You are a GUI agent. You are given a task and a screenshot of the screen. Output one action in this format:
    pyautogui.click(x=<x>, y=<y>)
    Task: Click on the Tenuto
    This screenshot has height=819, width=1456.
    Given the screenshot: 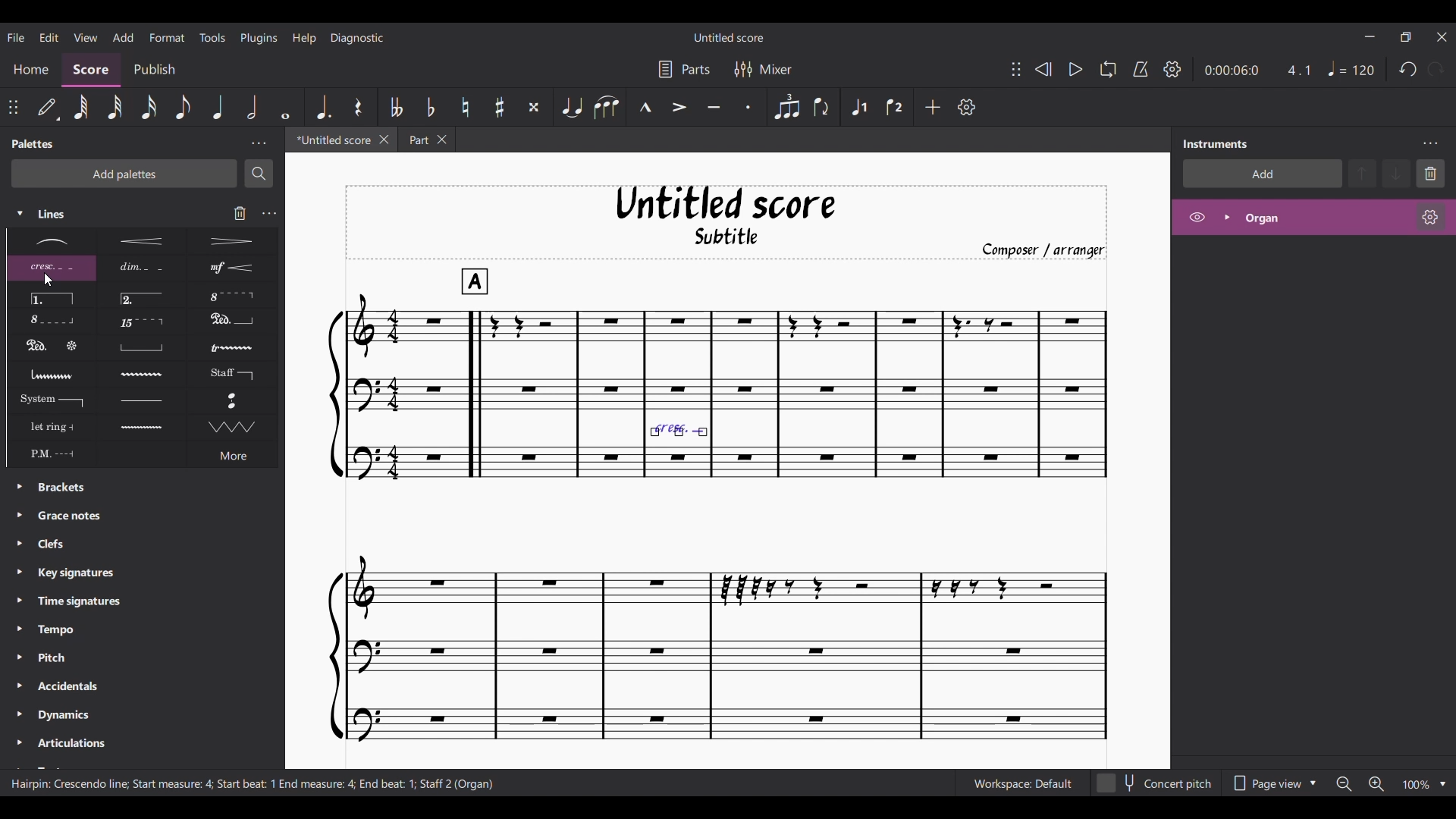 What is the action you would take?
    pyautogui.click(x=714, y=108)
    